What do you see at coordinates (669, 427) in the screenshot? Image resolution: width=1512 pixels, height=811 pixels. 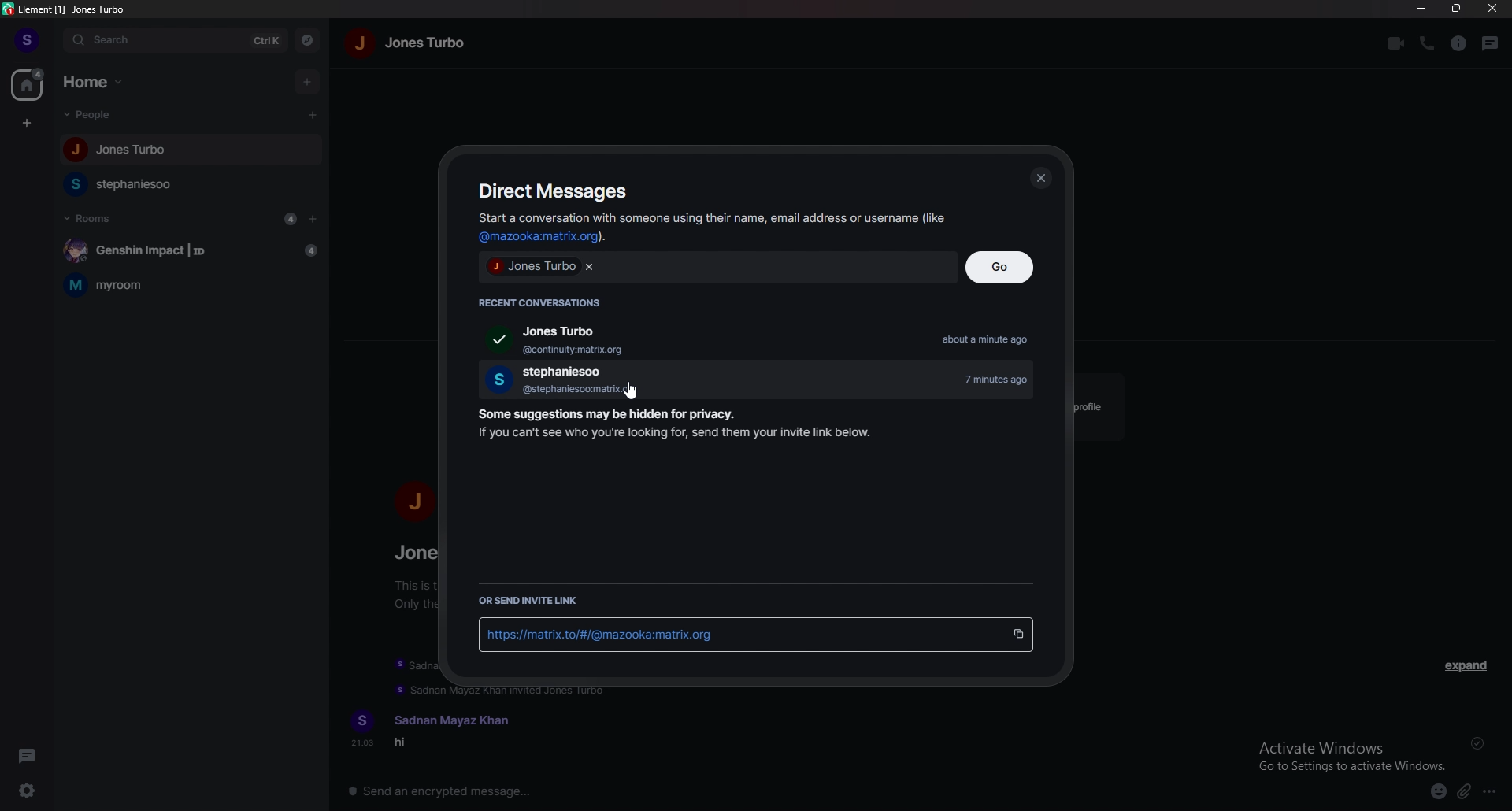 I see `Some suggestions may be hidden for privacy. If you can't see who you're looking for, send them your invite link below.` at bounding box center [669, 427].